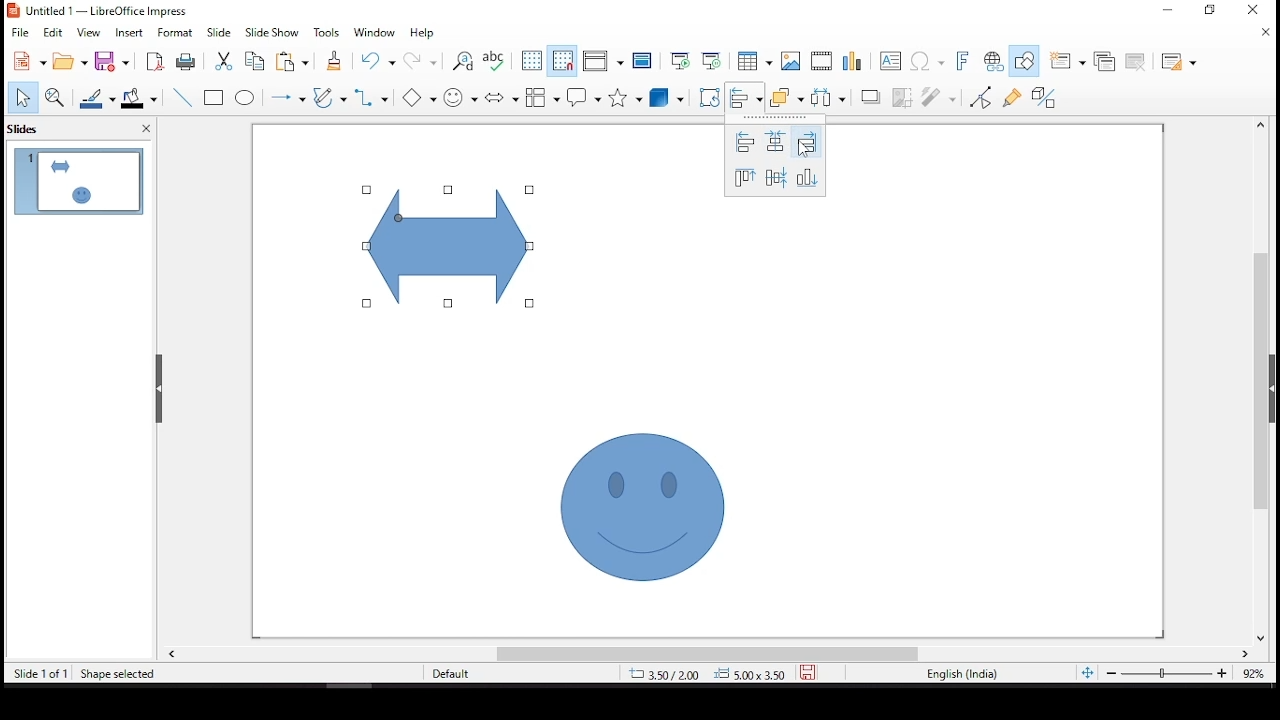 This screenshot has height=720, width=1280. Describe the element at coordinates (940, 97) in the screenshot. I see `filter` at that location.